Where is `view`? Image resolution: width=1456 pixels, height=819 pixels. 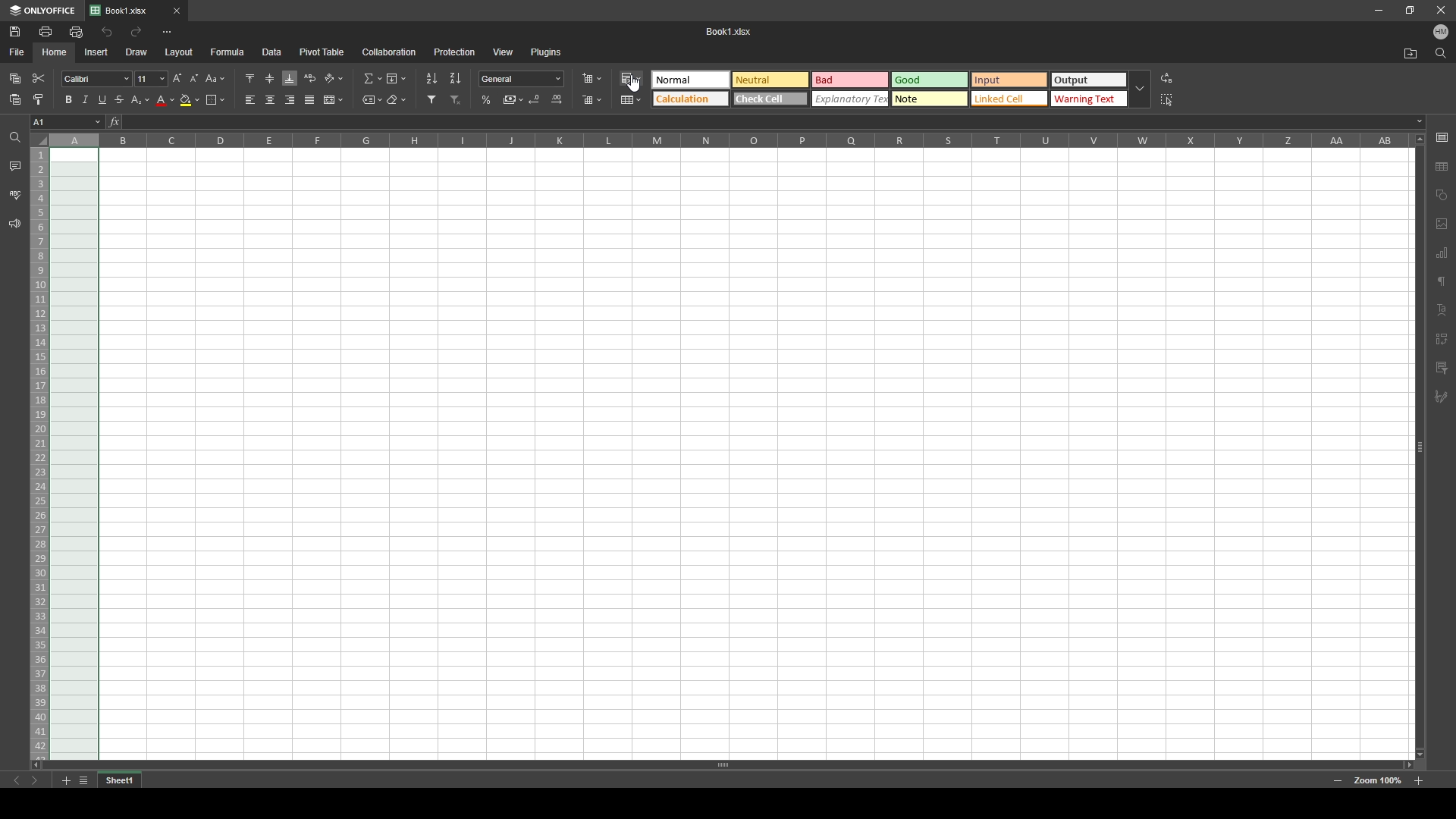 view is located at coordinates (504, 52).